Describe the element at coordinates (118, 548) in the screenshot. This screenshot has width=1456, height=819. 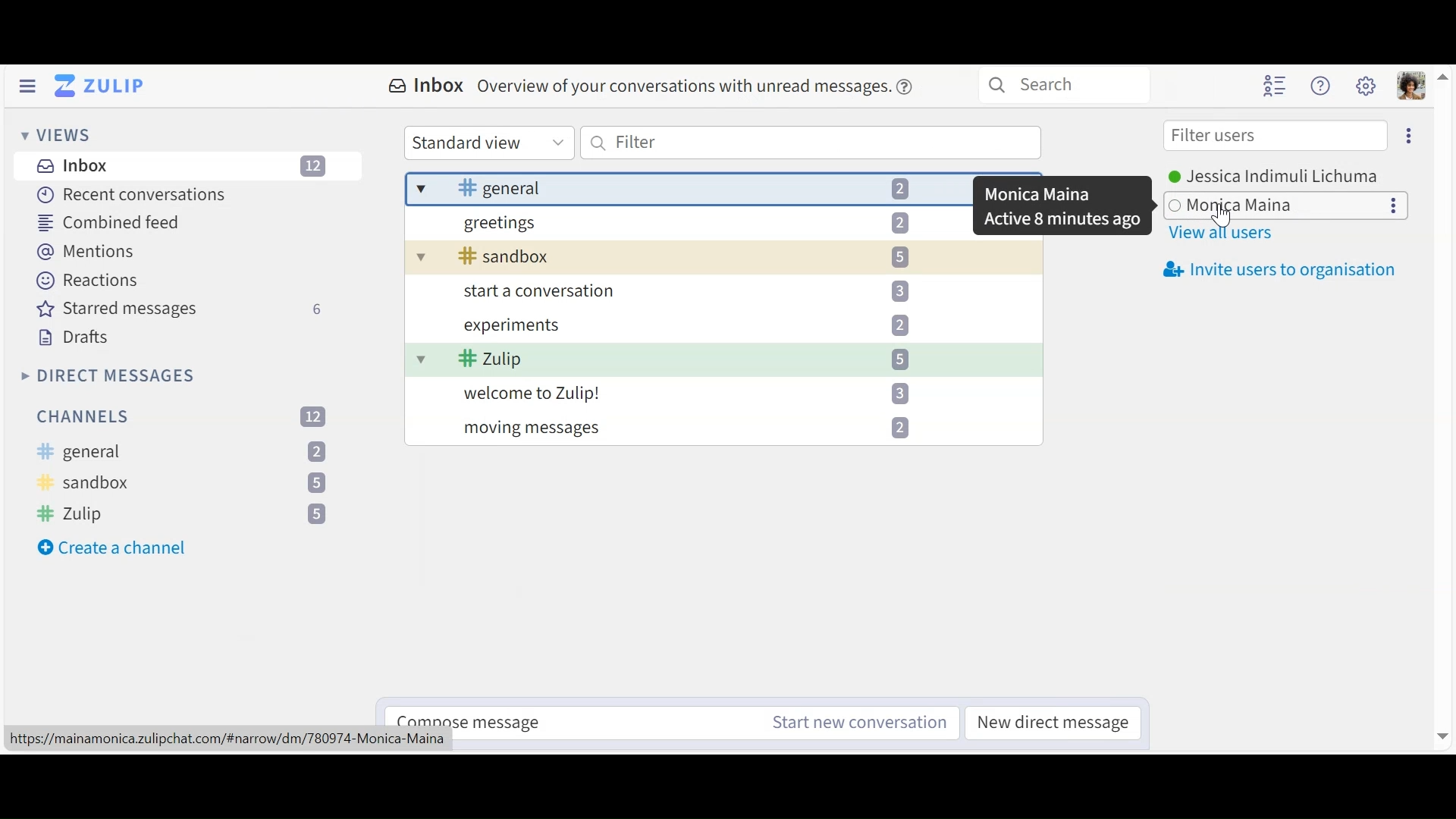
I see `Create a channel` at that location.